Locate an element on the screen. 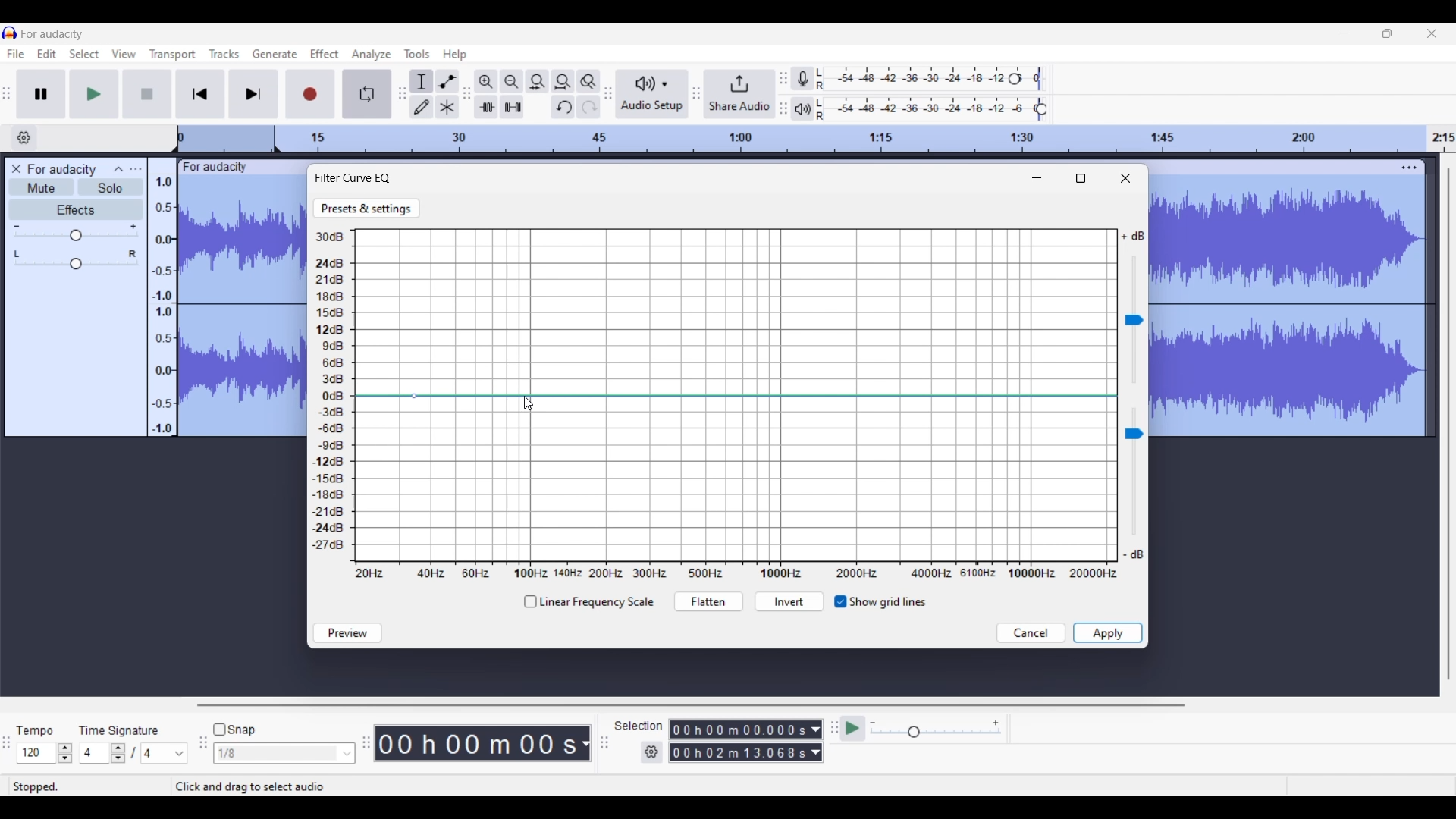  Tracks menu is located at coordinates (224, 54).